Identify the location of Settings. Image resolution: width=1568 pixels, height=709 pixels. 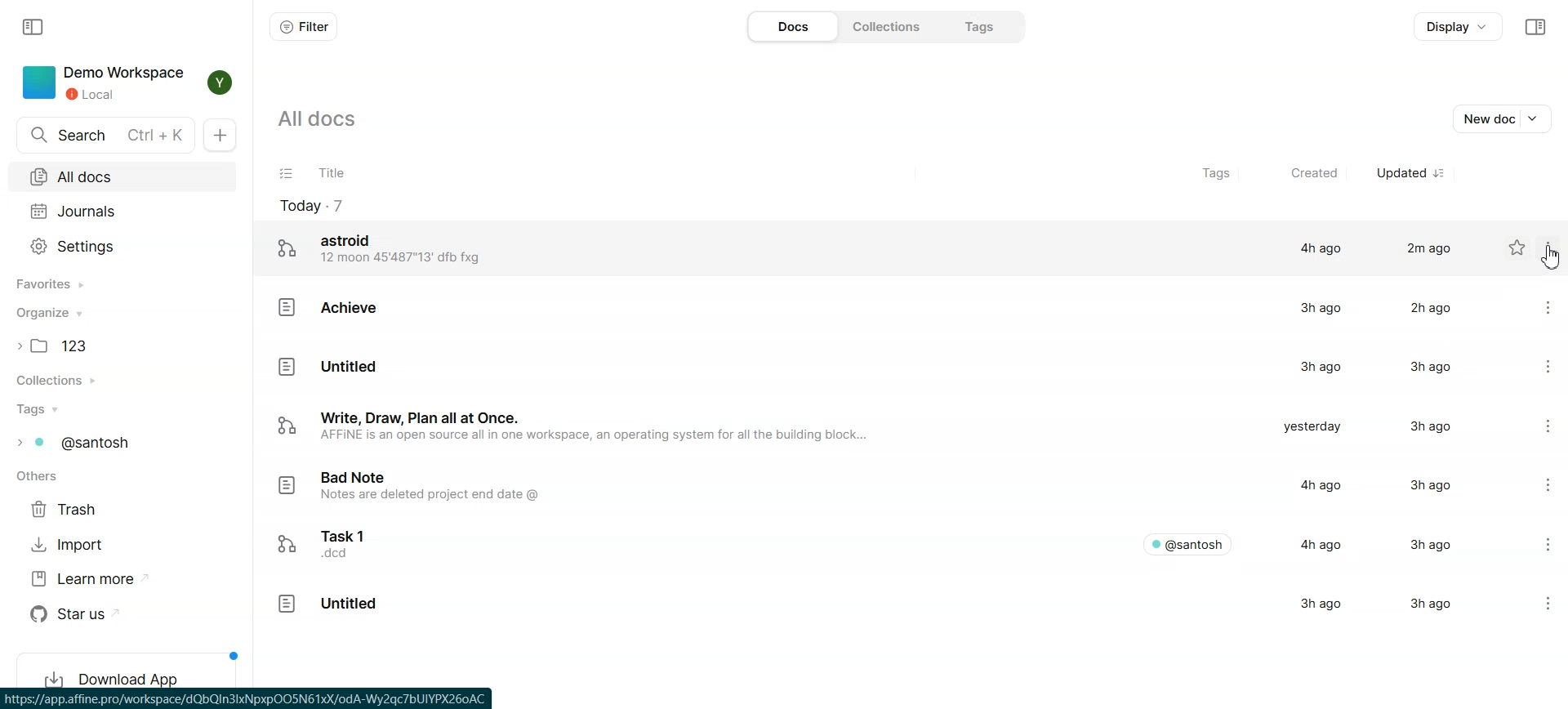
(1533, 425).